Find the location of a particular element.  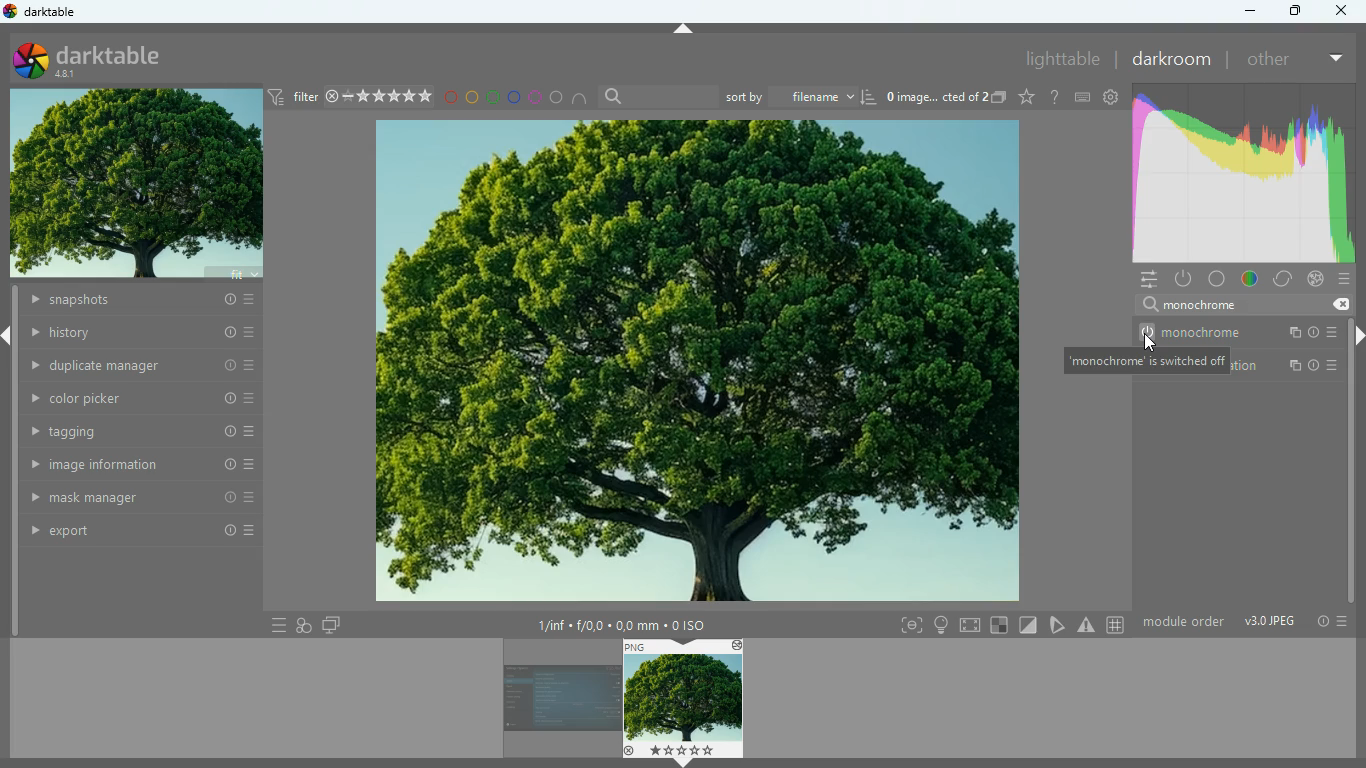

light is located at coordinates (943, 624).